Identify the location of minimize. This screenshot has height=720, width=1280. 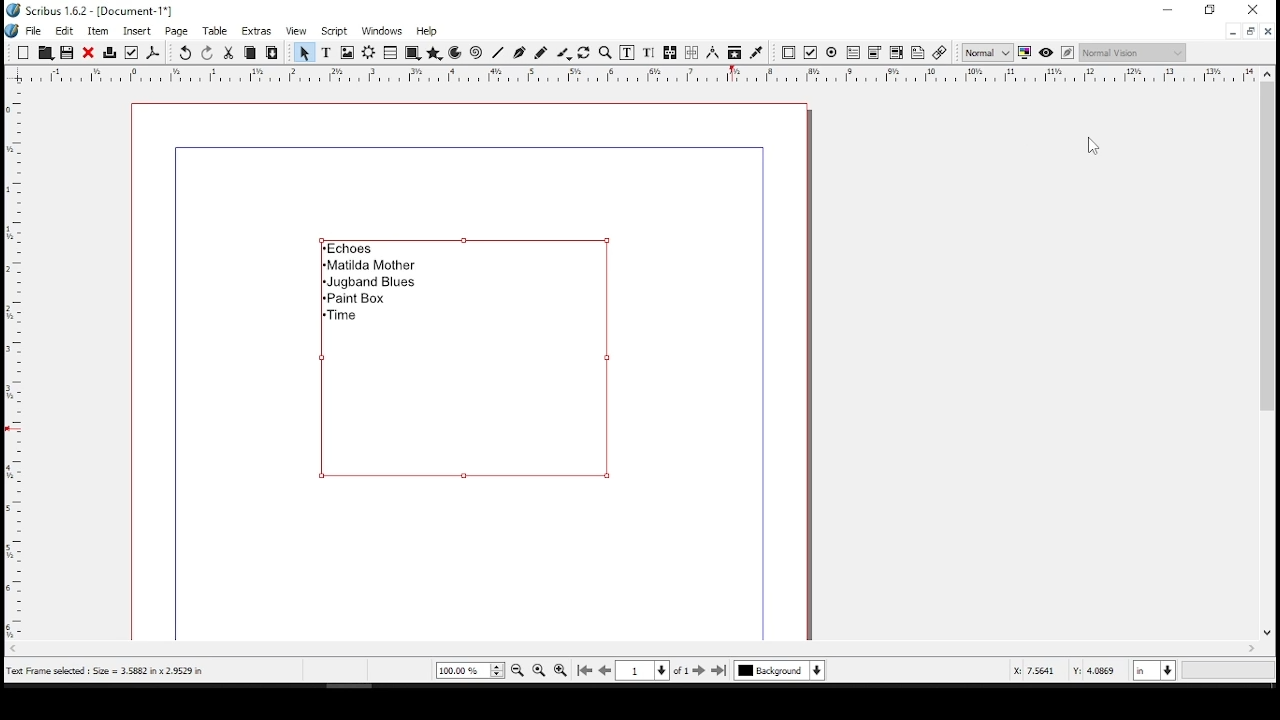
(1232, 32).